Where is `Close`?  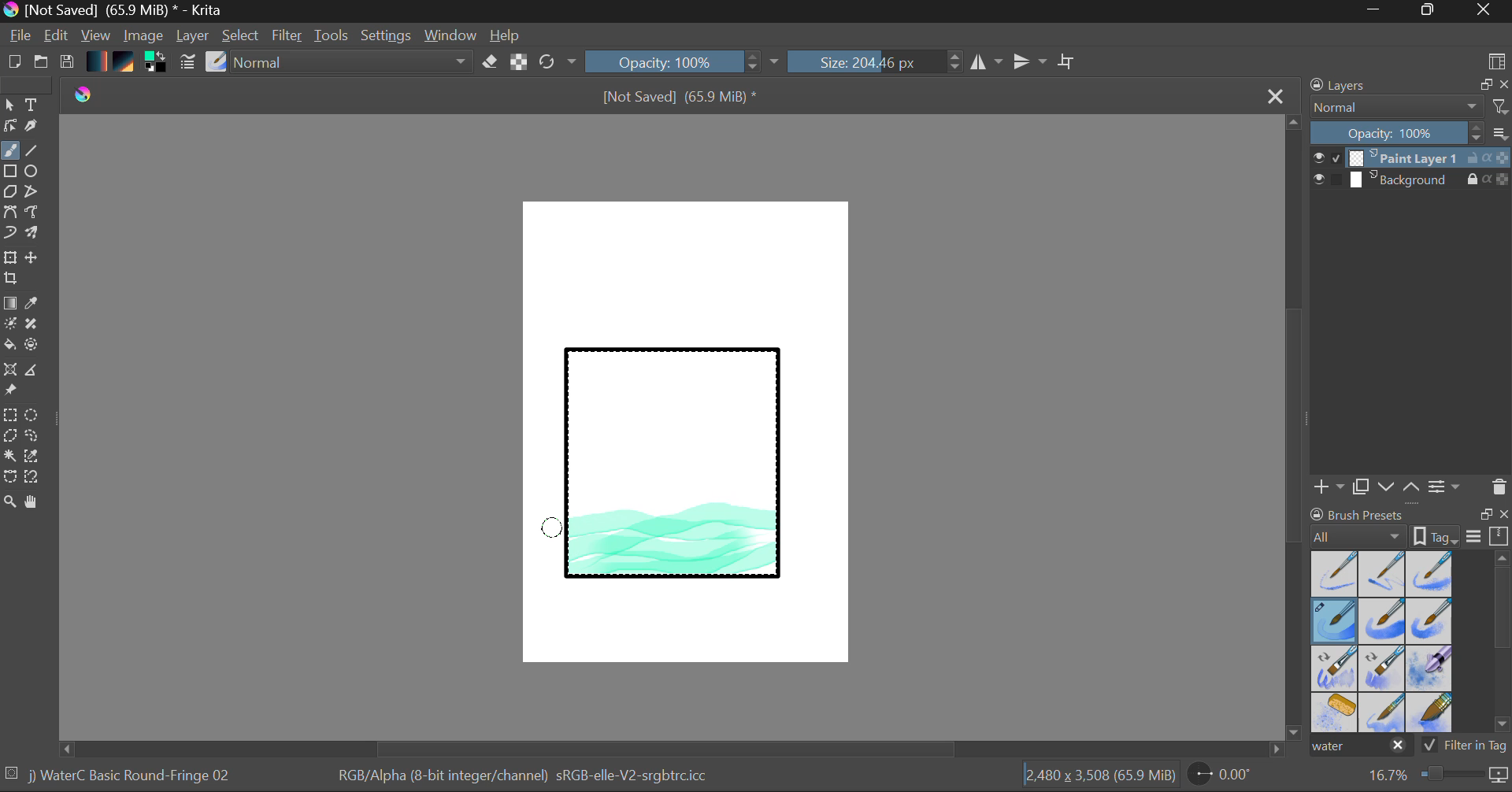 Close is located at coordinates (1277, 95).